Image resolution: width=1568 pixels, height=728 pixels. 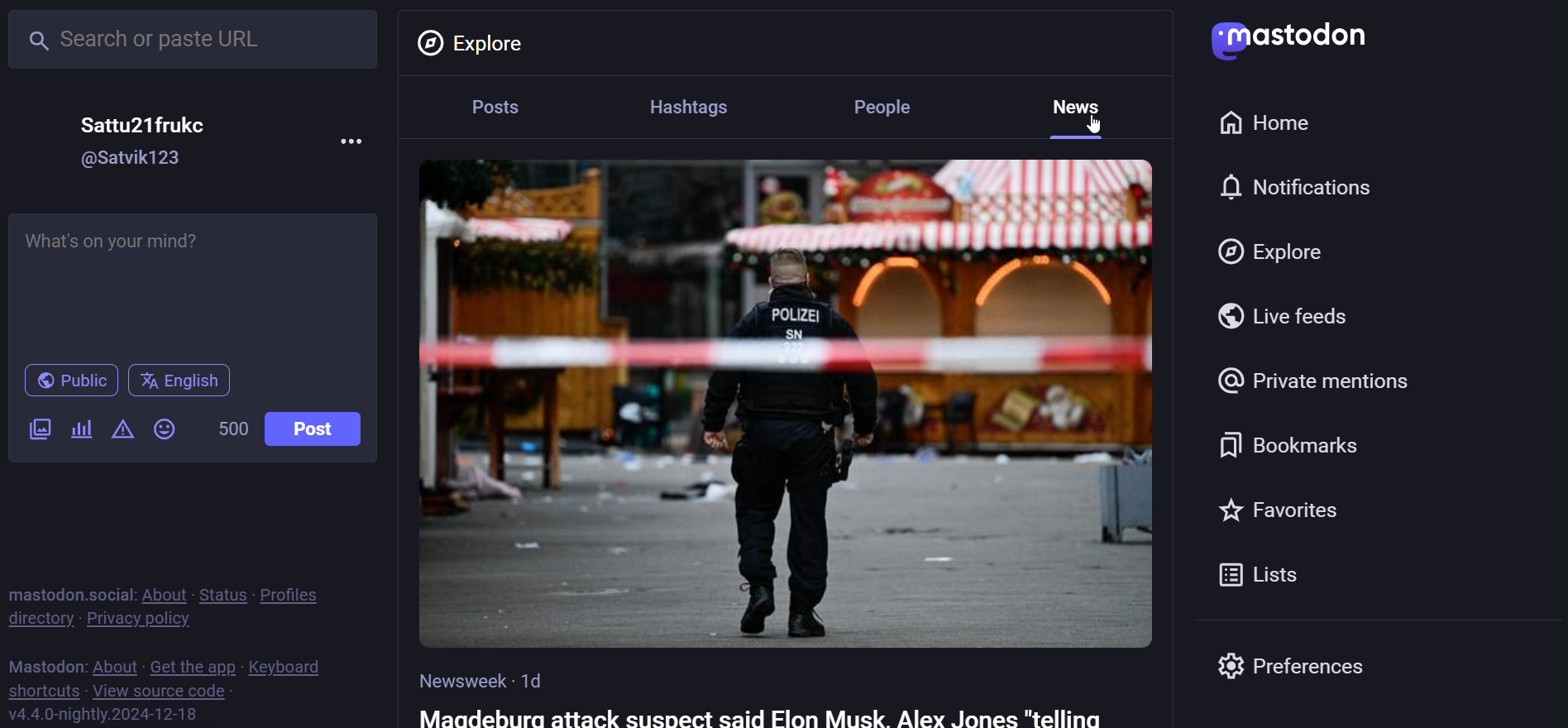 What do you see at coordinates (197, 282) in the screenshot?
I see `Whats on your mind` at bounding box center [197, 282].